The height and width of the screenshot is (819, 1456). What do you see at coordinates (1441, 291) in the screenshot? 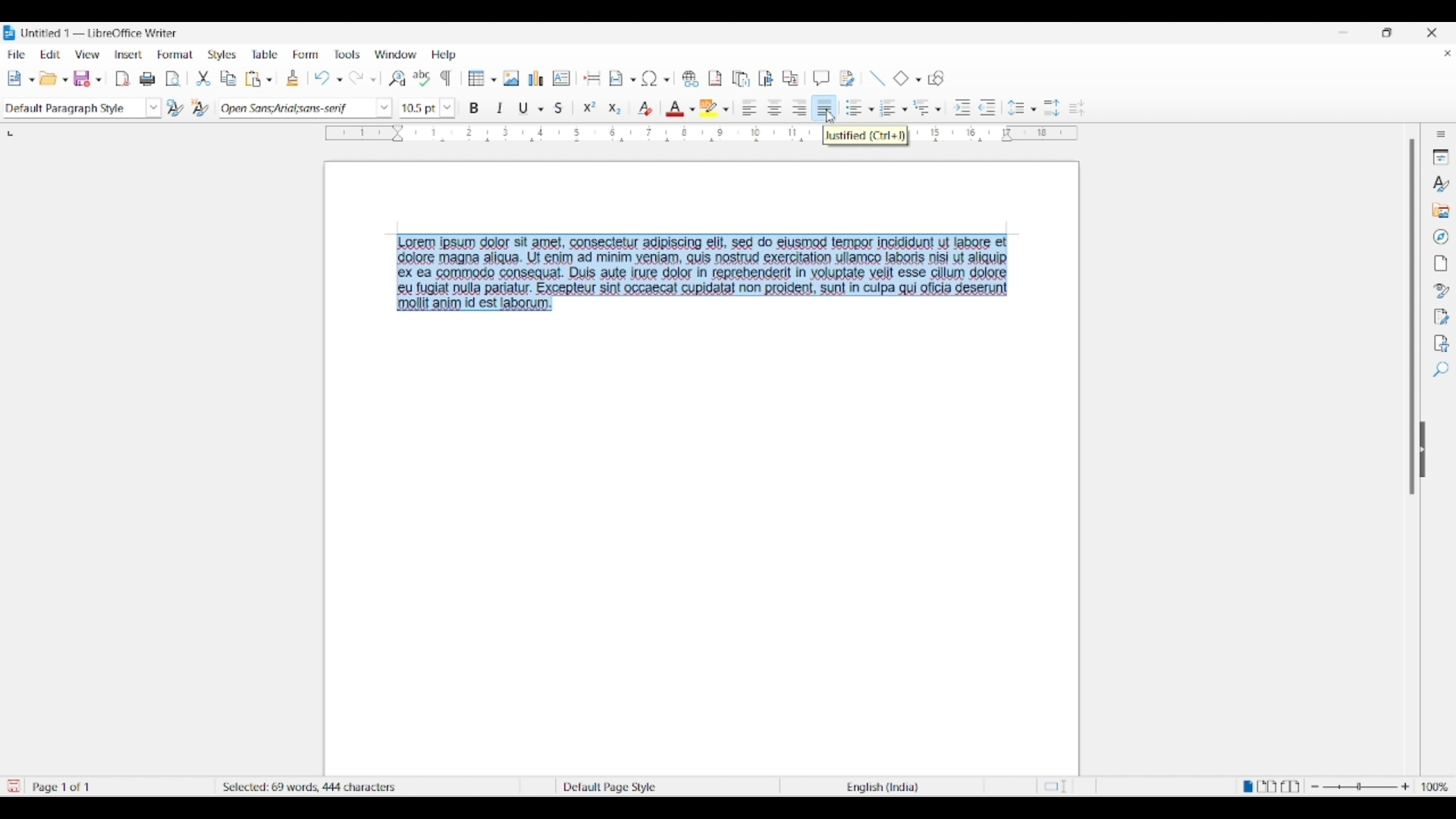
I see `Style inspector` at bounding box center [1441, 291].